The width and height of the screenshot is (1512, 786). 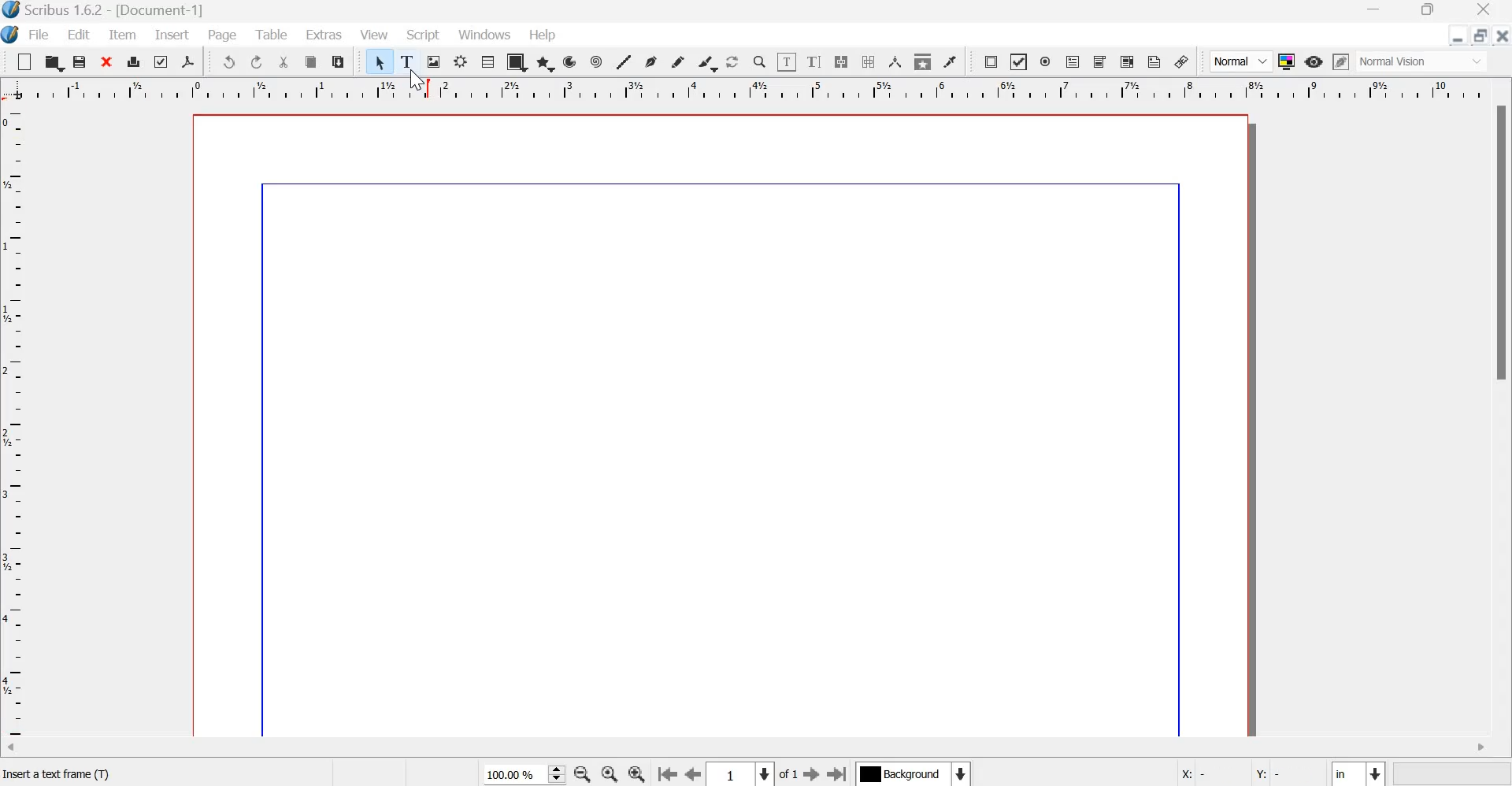 I want to click on select item, so click(x=380, y=61).